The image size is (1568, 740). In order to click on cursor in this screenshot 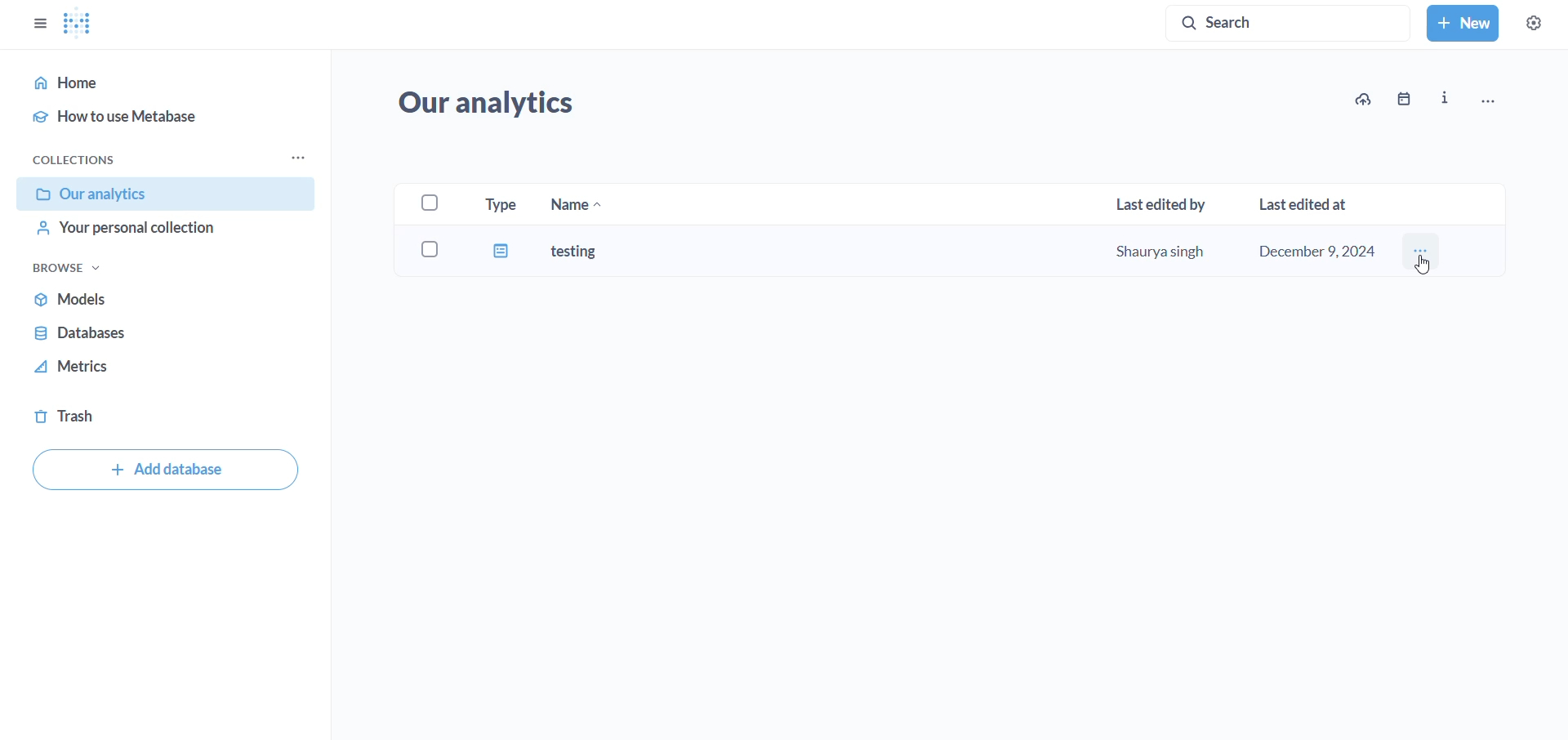, I will do `click(1425, 262)`.